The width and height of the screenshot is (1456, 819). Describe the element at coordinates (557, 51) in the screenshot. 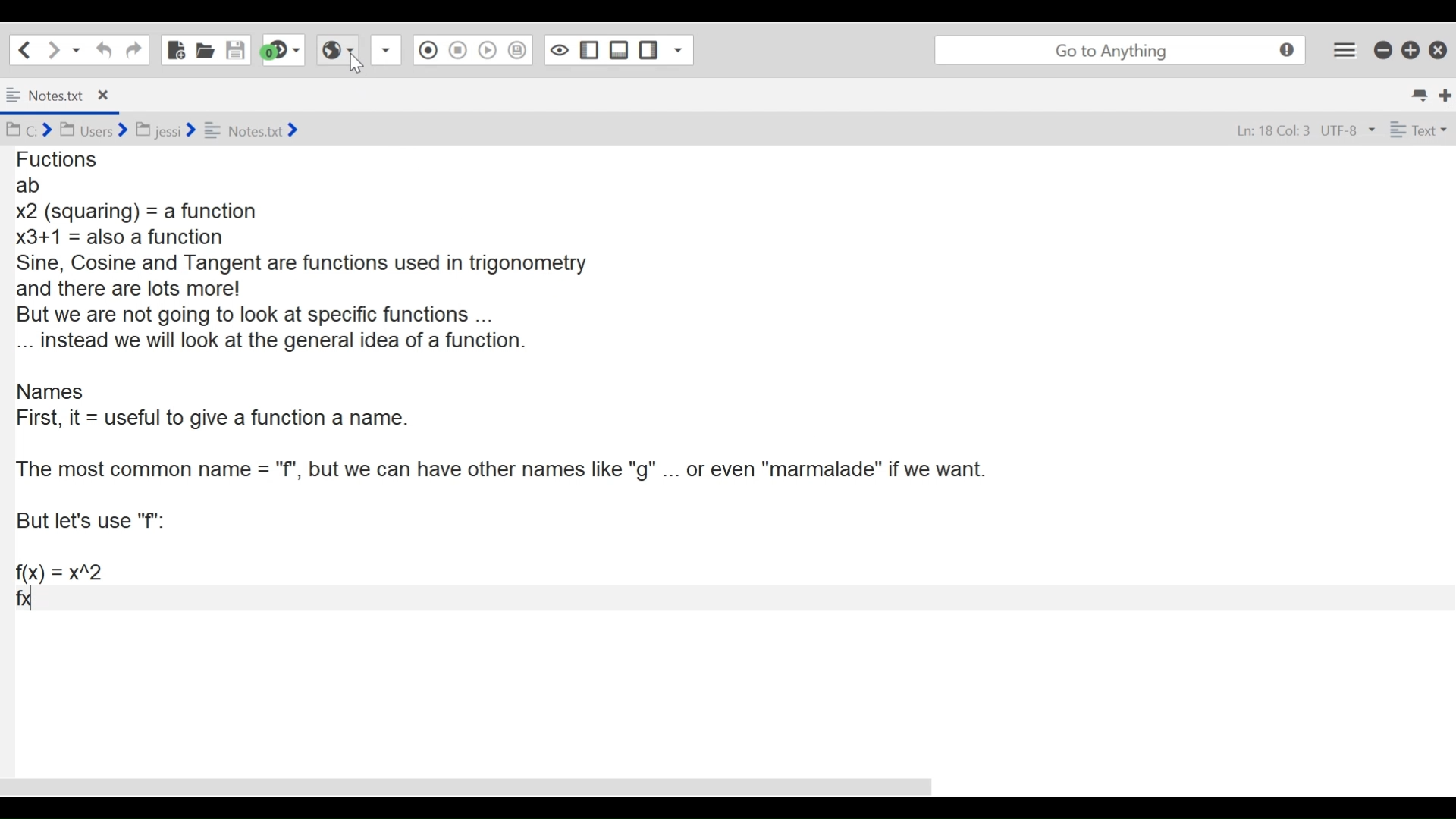

I see `Toggle focus mode` at that location.